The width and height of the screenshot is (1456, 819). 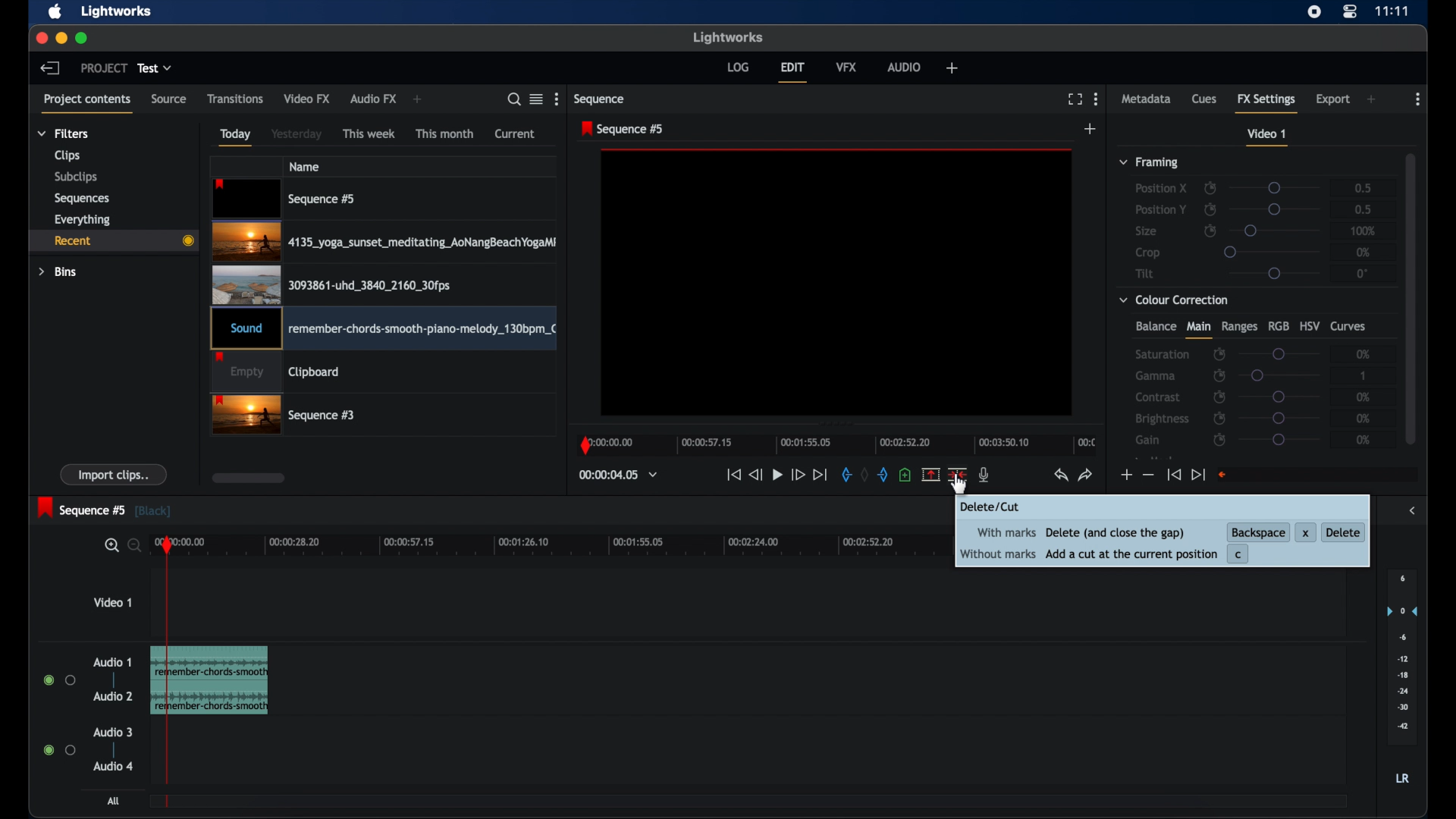 What do you see at coordinates (1150, 163) in the screenshot?
I see `framing` at bounding box center [1150, 163].